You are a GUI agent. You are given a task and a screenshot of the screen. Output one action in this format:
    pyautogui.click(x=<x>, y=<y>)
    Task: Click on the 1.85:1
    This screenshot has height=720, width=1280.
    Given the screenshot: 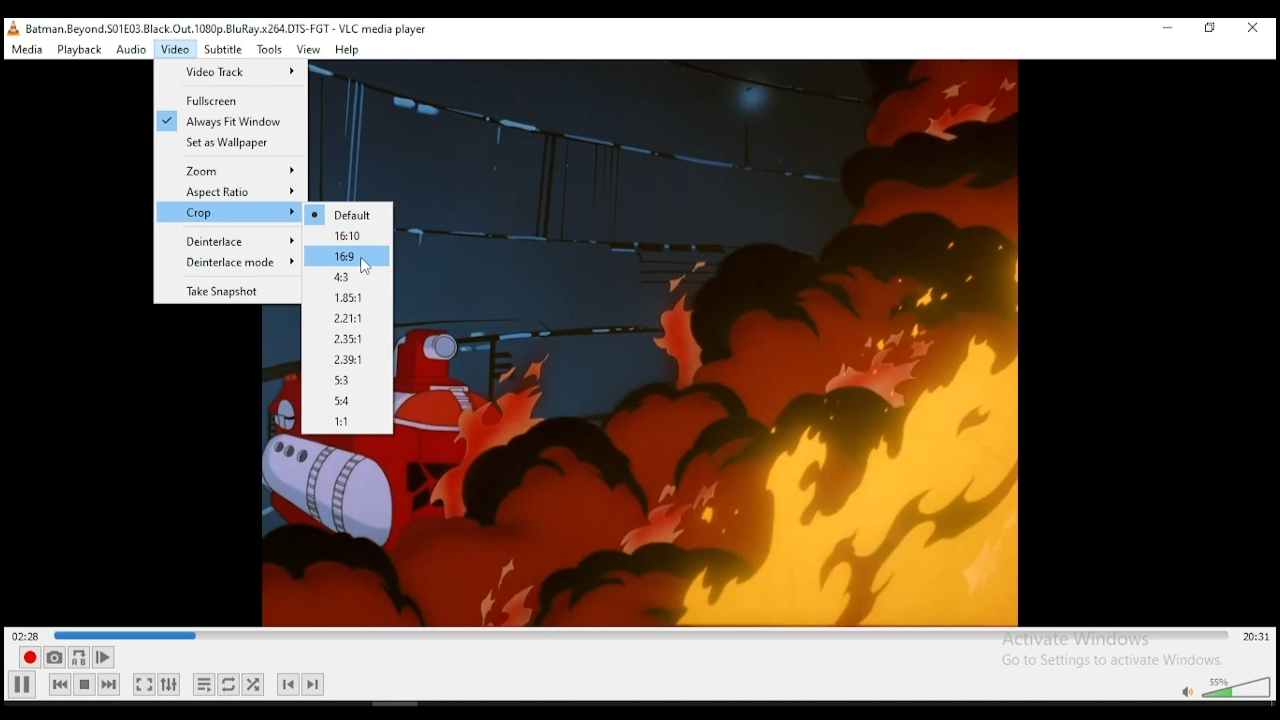 What is the action you would take?
    pyautogui.click(x=346, y=298)
    